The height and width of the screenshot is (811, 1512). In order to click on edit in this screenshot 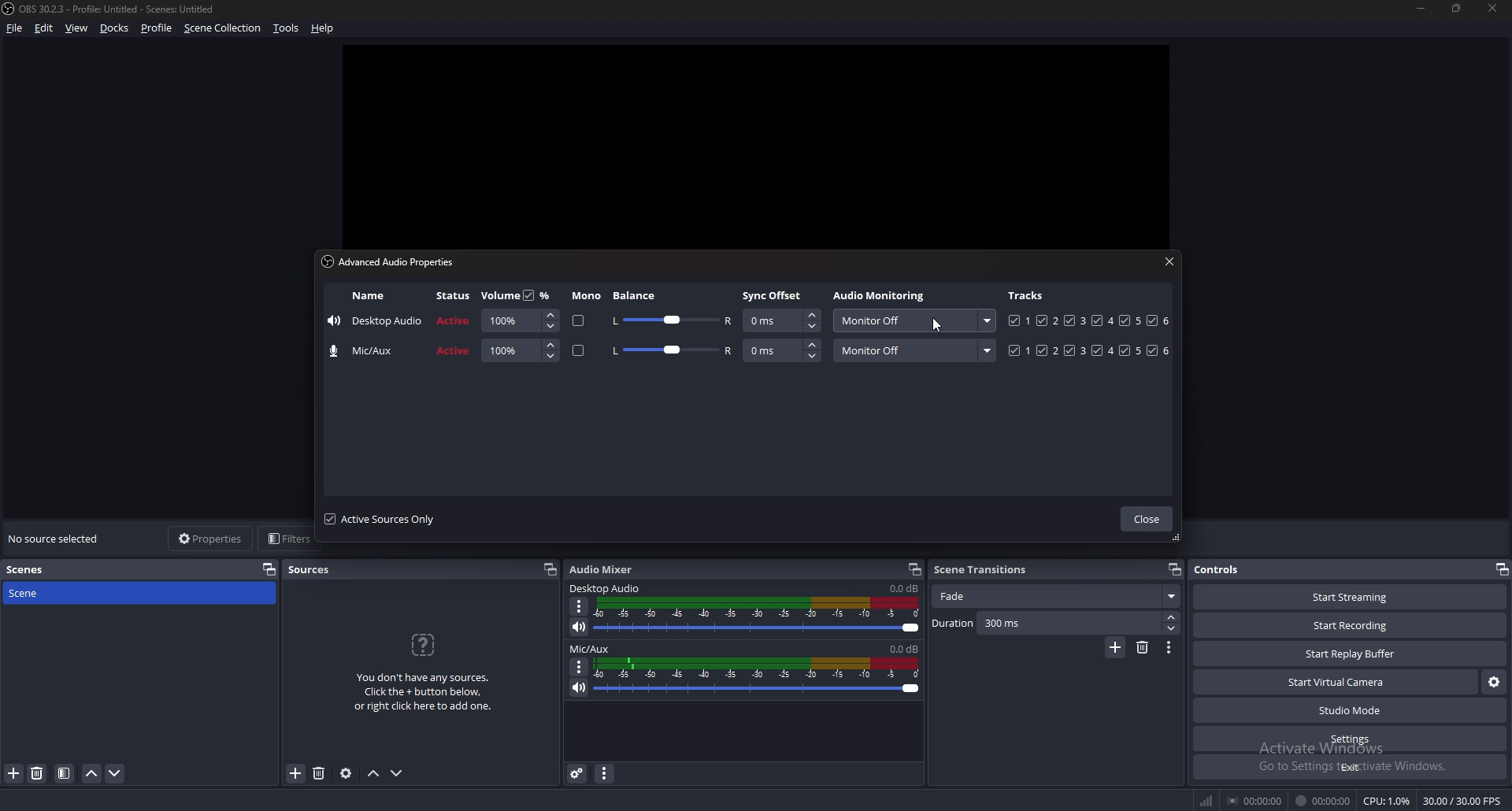, I will do `click(46, 28)`.